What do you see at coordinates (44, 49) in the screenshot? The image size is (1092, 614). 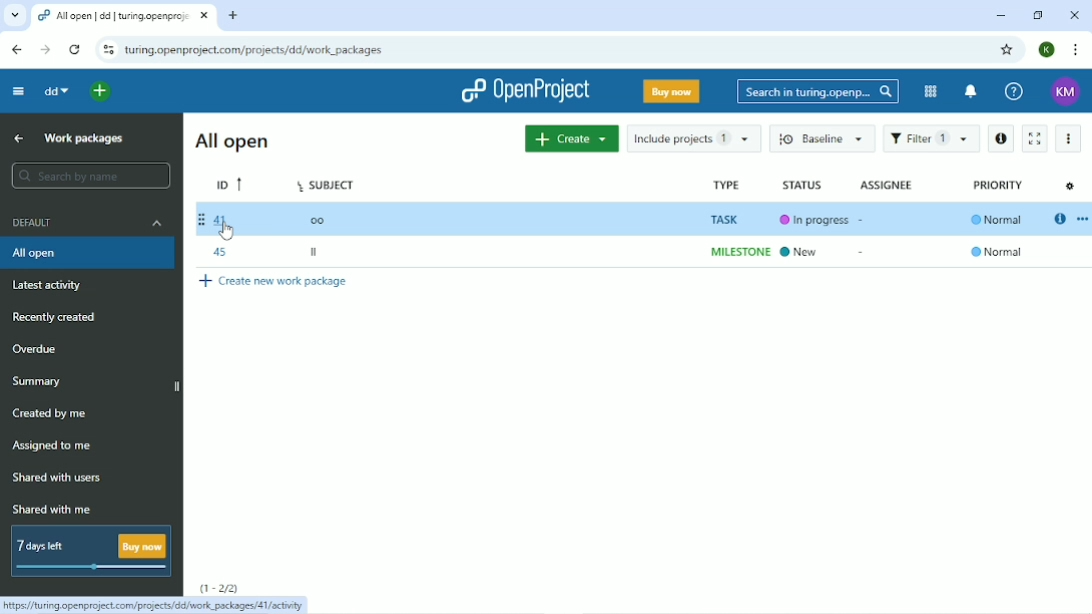 I see `Forward` at bounding box center [44, 49].